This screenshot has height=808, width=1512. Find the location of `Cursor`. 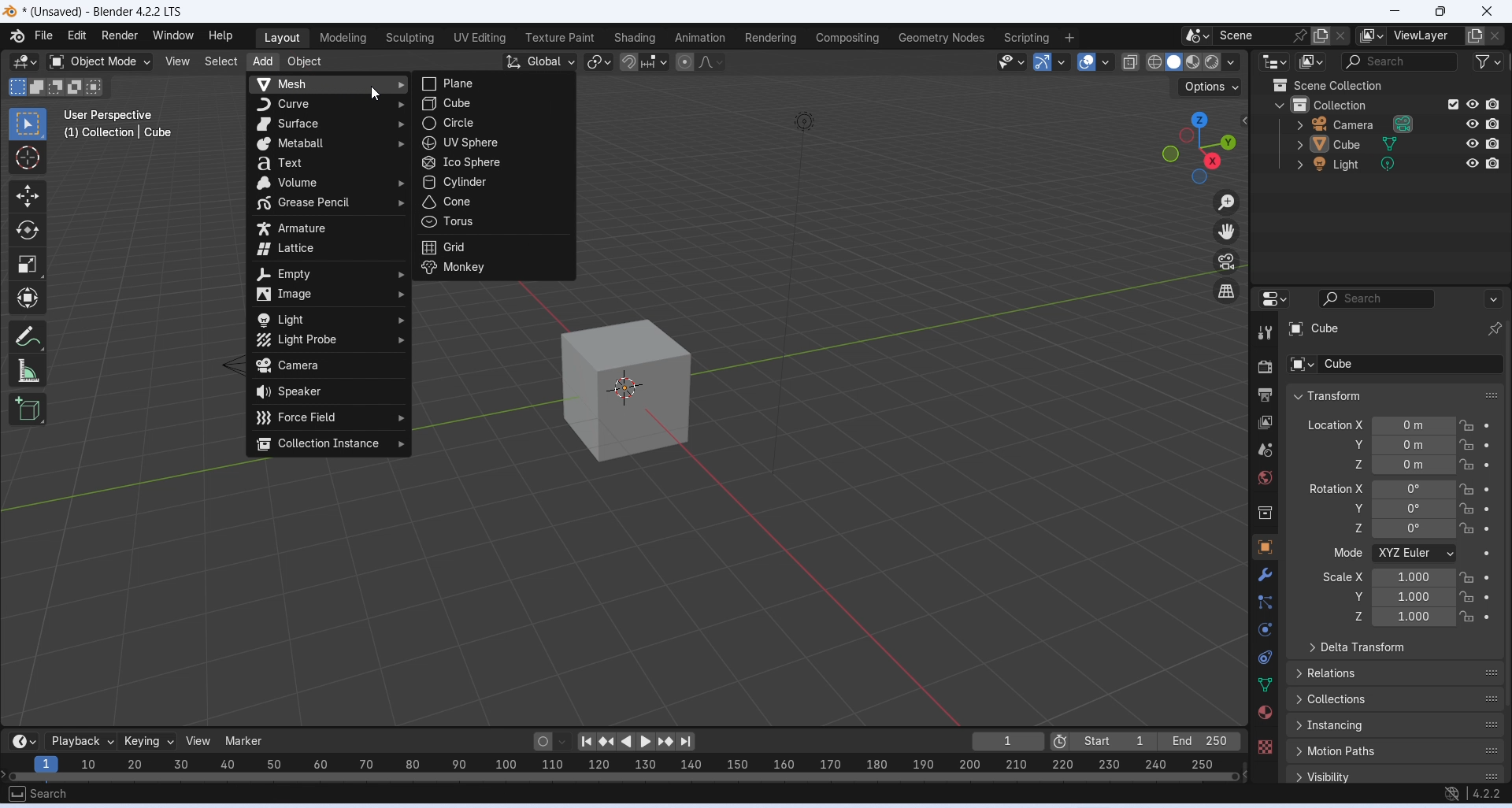

Cursor is located at coordinates (27, 158).